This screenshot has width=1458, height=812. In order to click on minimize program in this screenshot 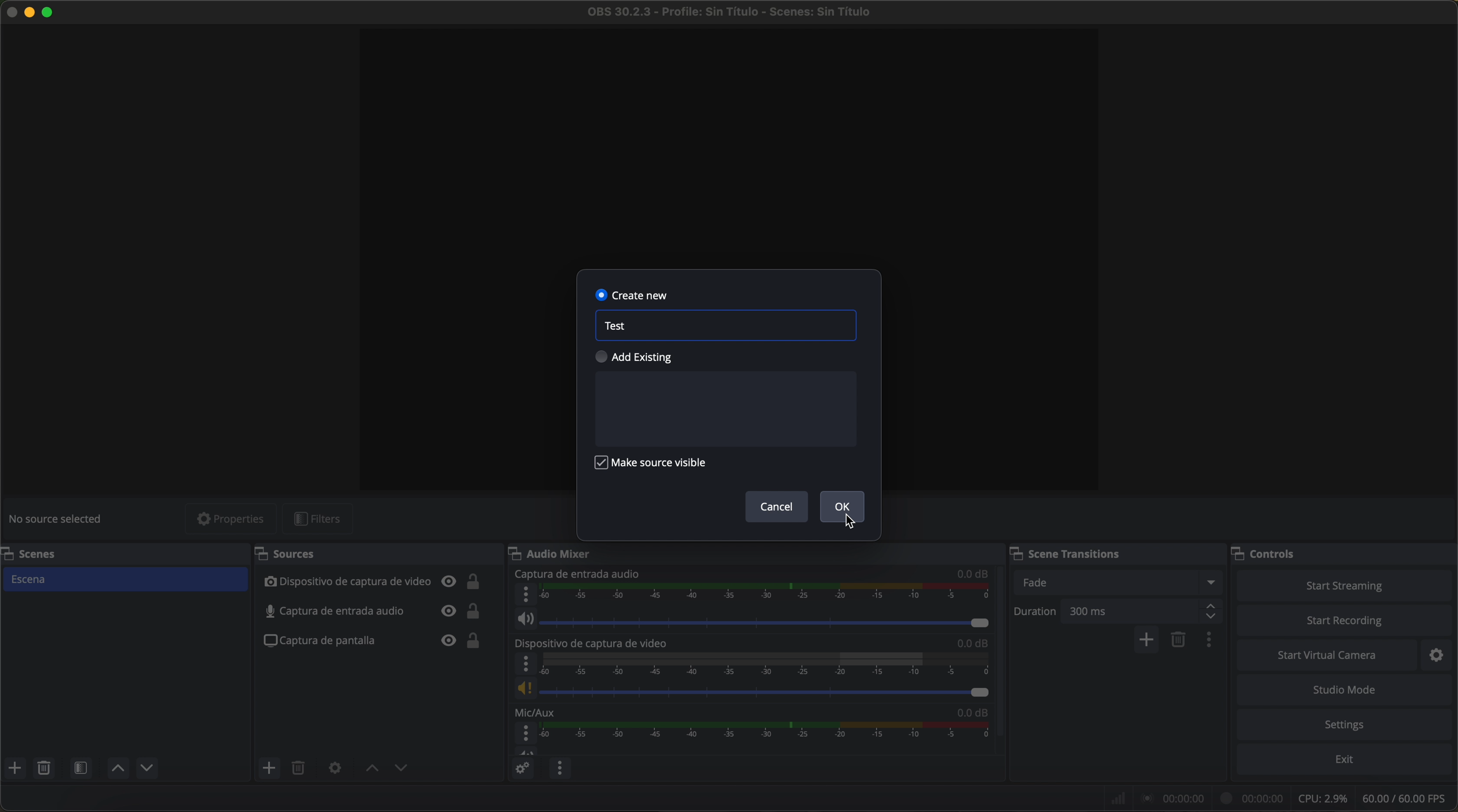, I will do `click(30, 12)`.